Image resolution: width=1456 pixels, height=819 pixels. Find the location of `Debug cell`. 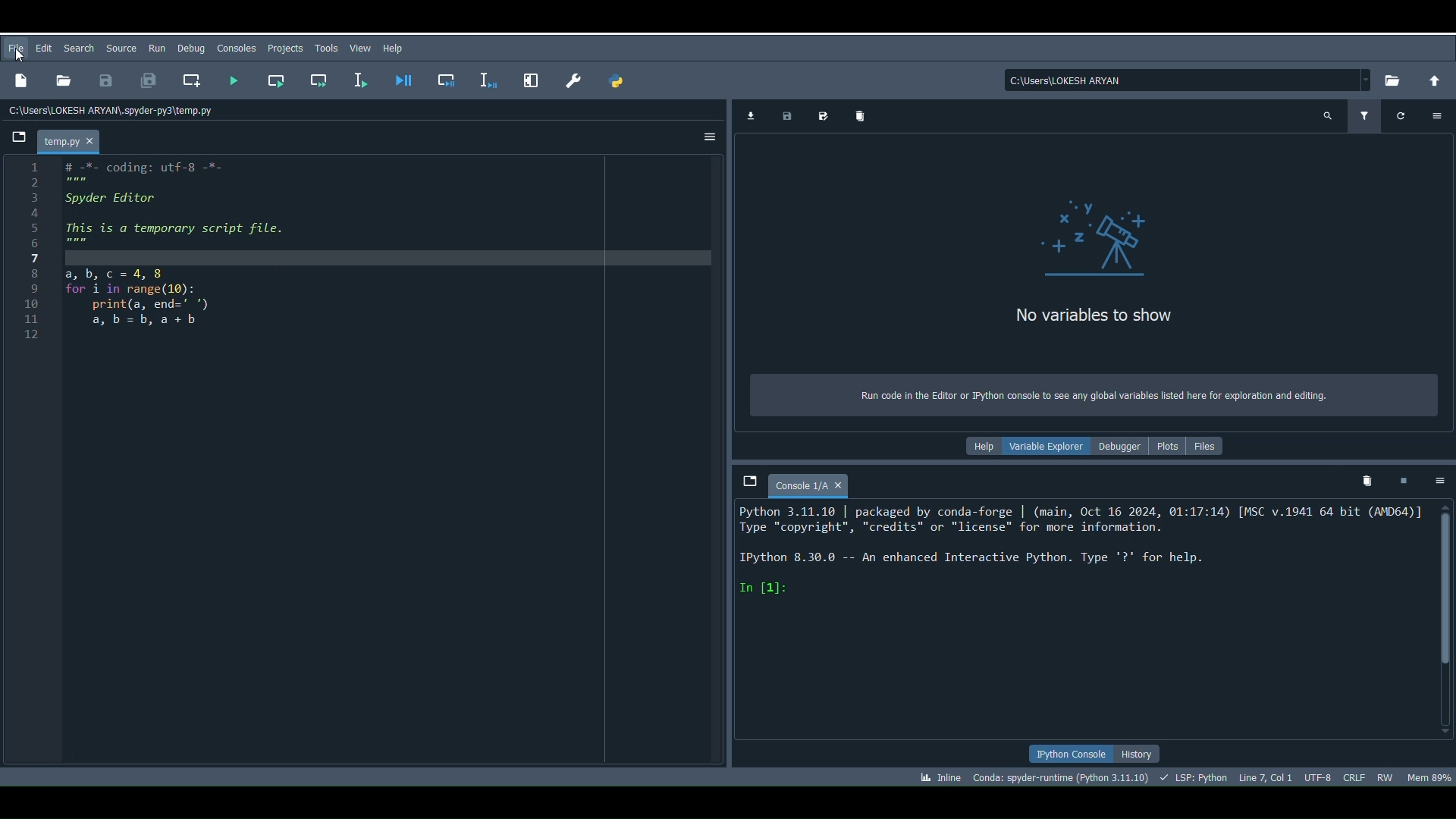

Debug cell is located at coordinates (449, 79).